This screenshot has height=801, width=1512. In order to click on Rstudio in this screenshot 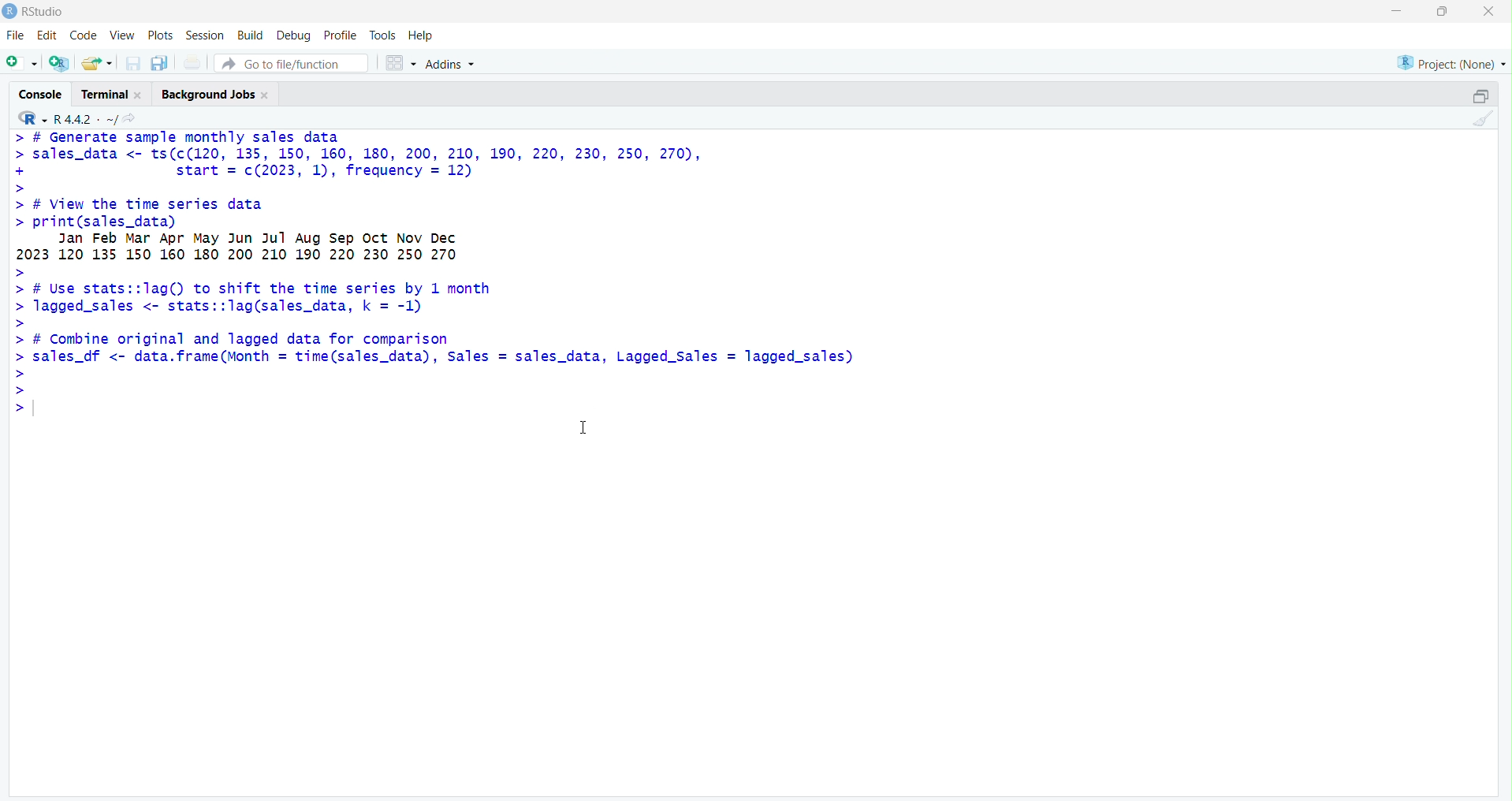, I will do `click(35, 12)`.